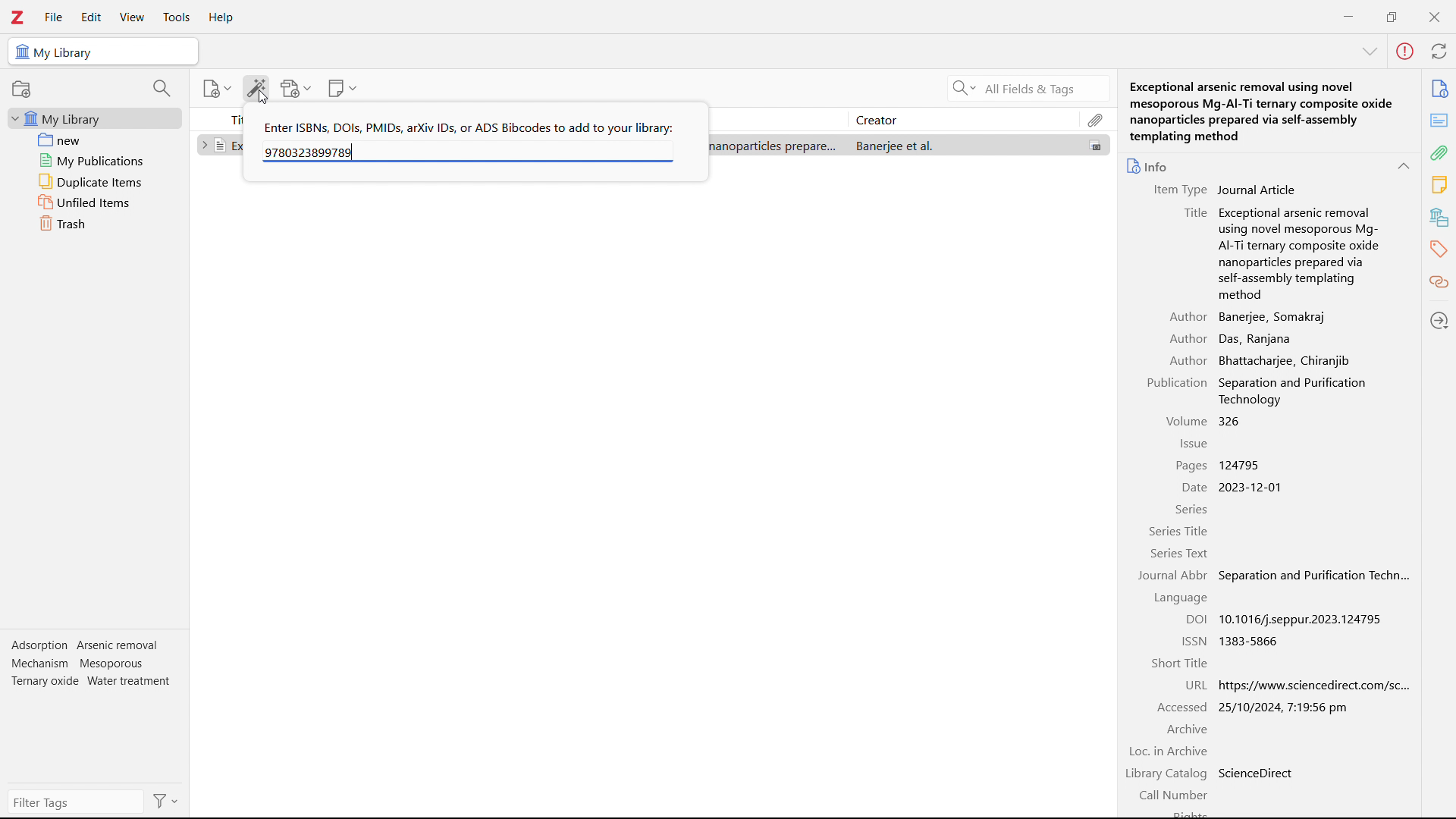  What do you see at coordinates (96, 223) in the screenshot?
I see `trash` at bounding box center [96, 223].